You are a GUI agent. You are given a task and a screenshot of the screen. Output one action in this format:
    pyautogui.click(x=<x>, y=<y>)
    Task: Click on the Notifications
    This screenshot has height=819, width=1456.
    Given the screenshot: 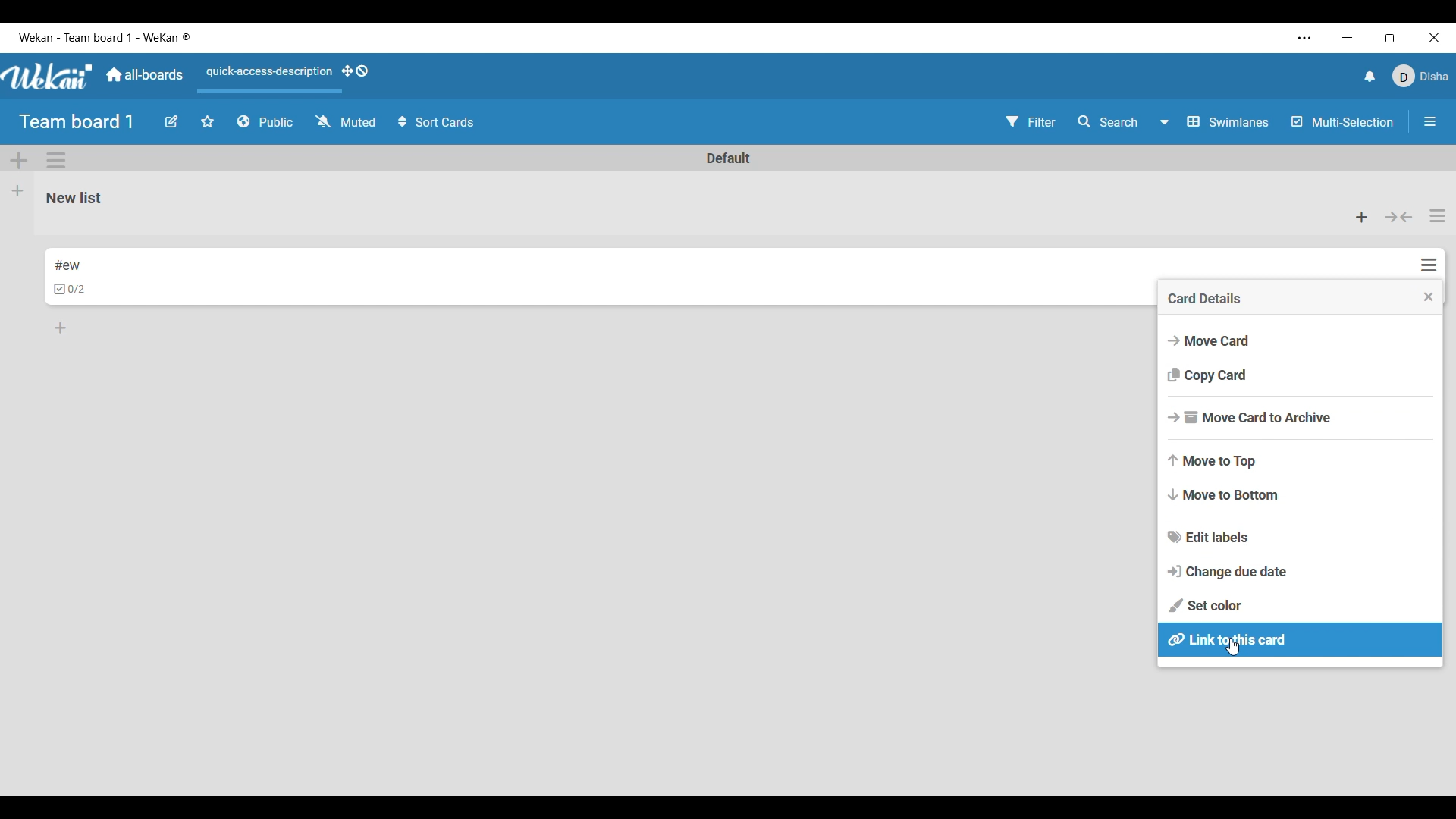 What is the action you would take?
    pyautogui.click(x=1370, y=76)
    